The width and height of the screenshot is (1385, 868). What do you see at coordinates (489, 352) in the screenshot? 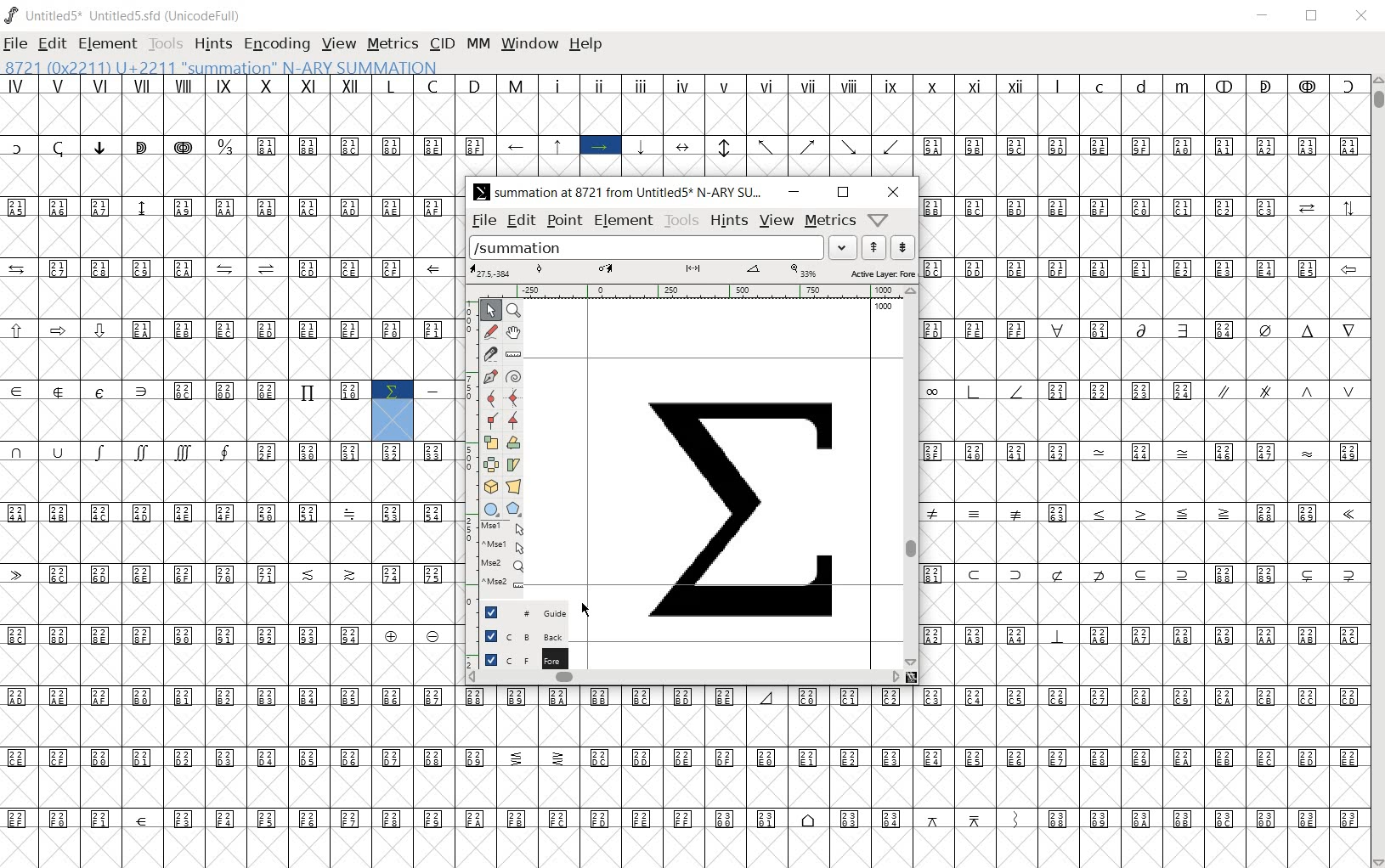
I see `cut splines in two` at bounding box center [489, 352].